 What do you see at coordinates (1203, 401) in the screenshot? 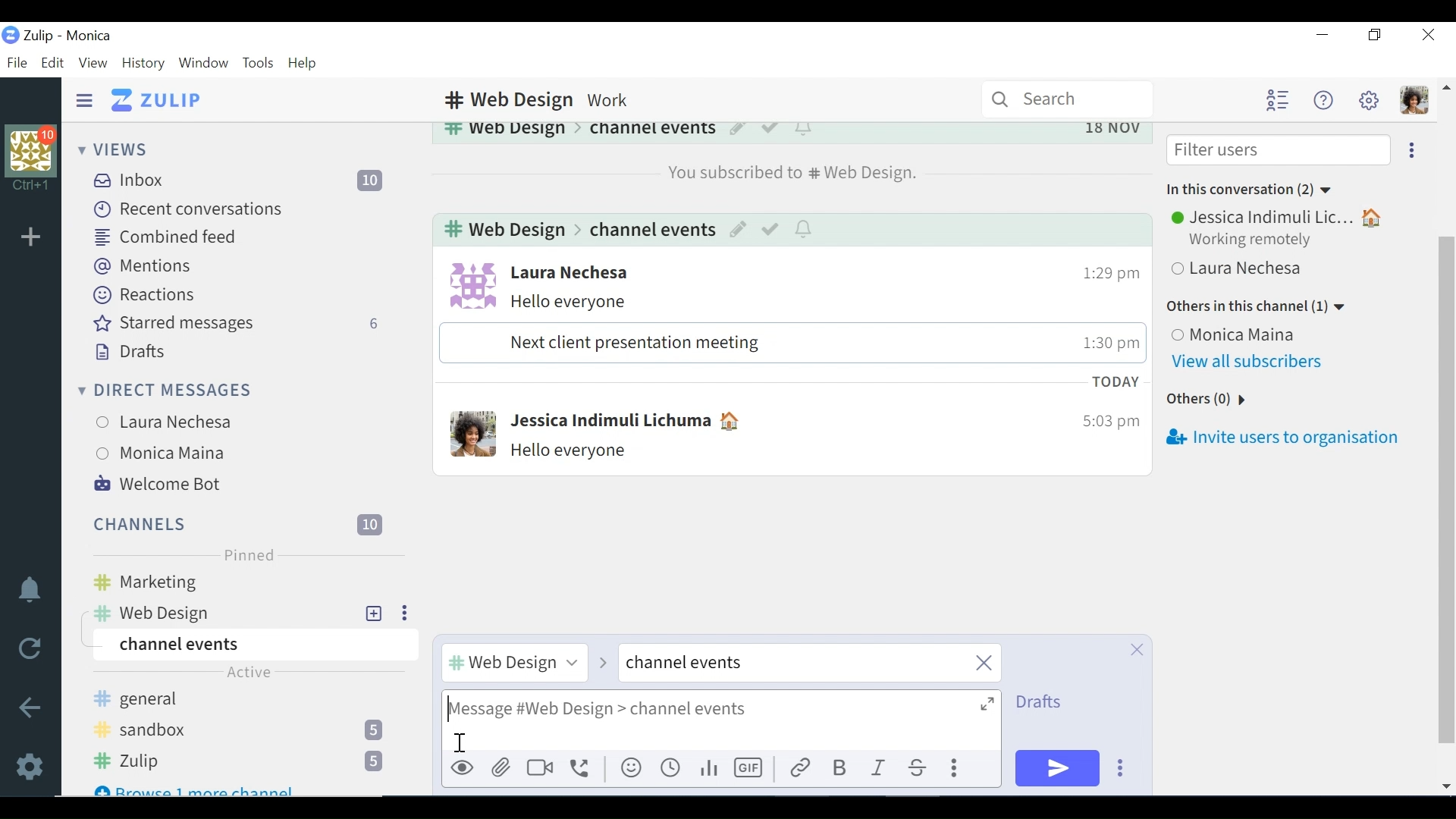
I see `Others` at bounding box center [1203, 401].